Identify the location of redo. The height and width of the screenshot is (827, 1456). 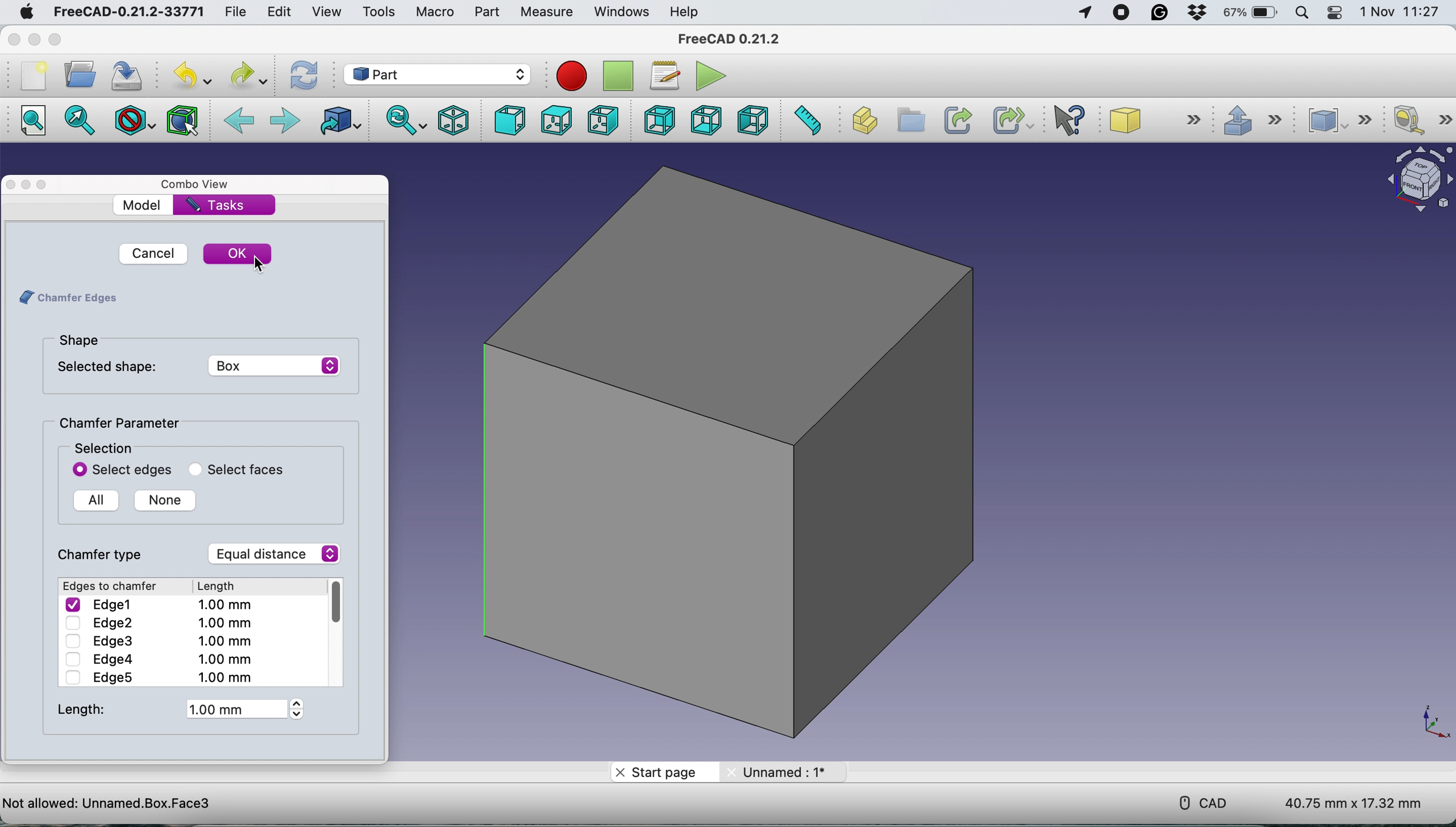
(242, 76).